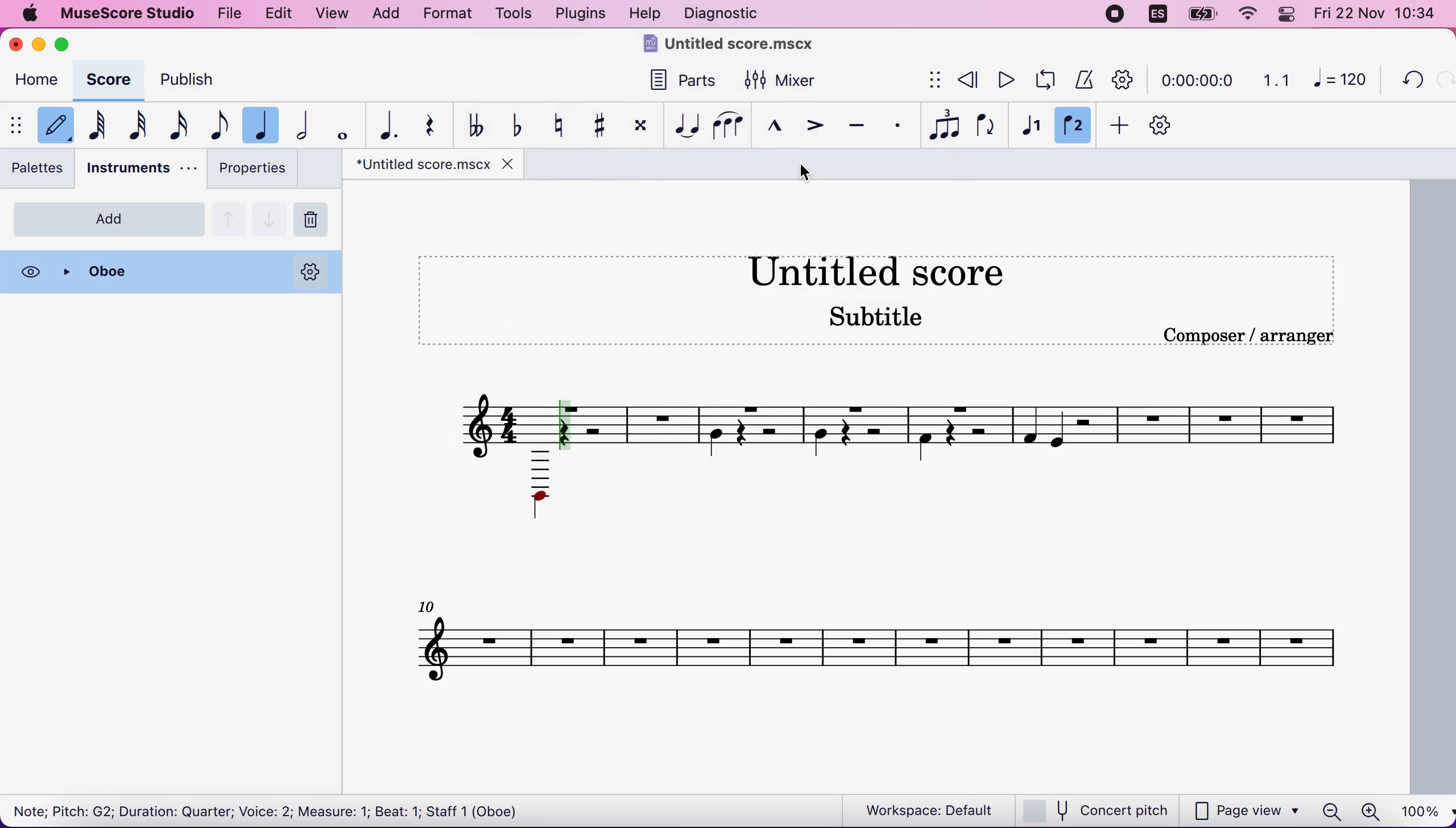 This screenshot has height=828, width=1456. Describe the element at coordinates (1442, 82) in the screenshot. I see `redo` at that location.